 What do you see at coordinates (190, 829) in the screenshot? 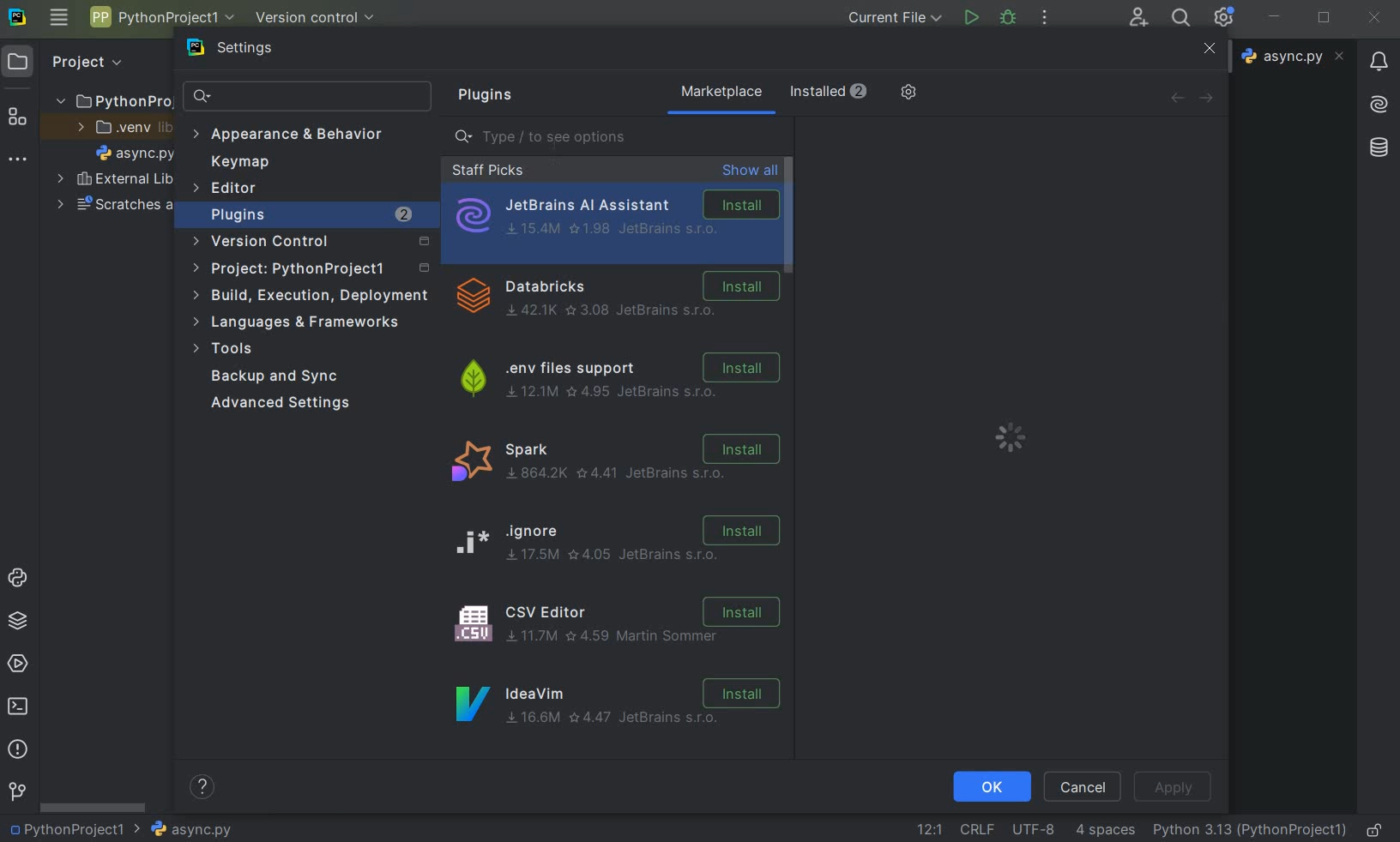
I see `file name` at bounding box center [190, 829].